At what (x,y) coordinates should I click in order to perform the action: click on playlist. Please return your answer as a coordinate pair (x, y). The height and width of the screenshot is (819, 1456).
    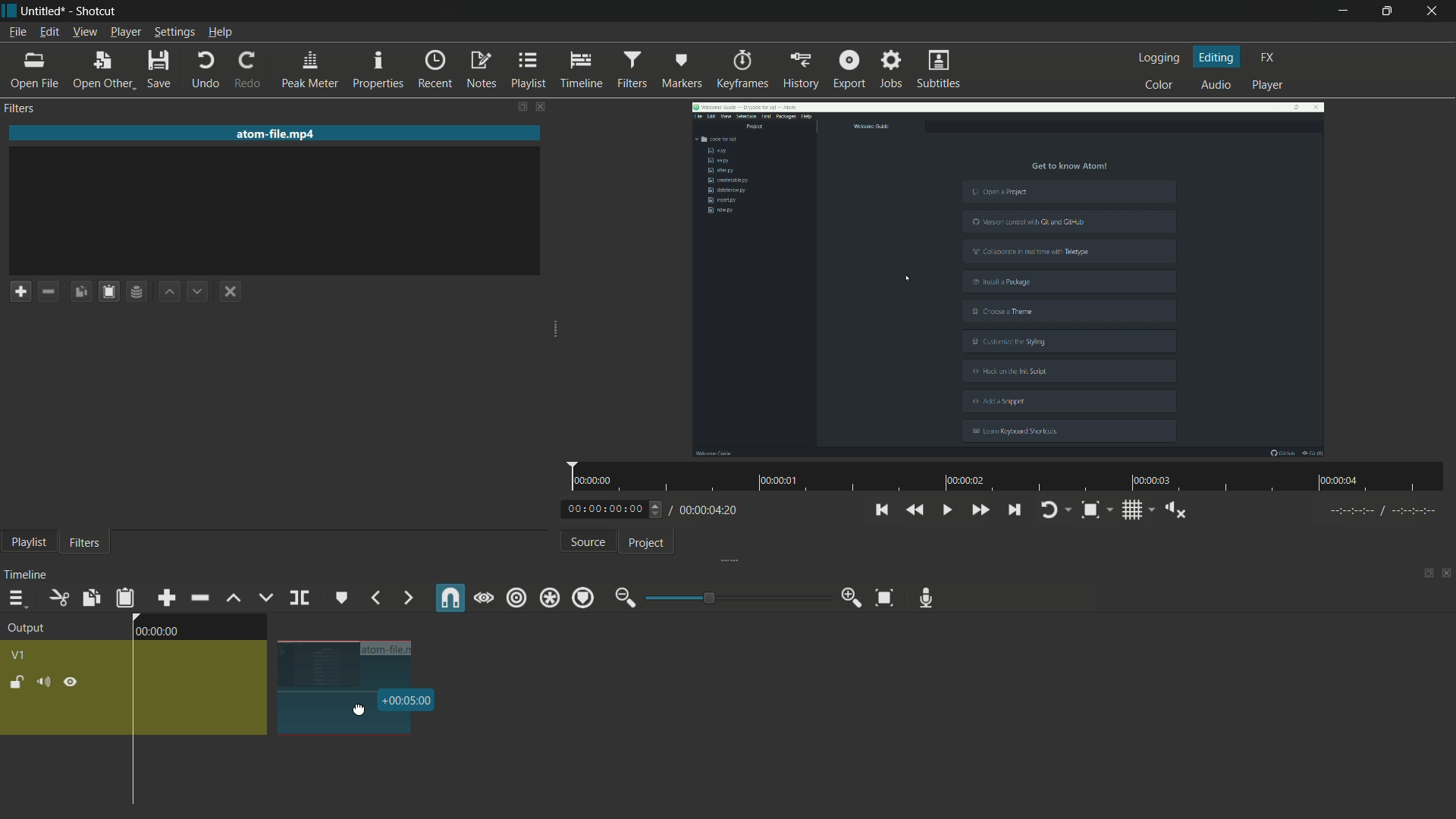
    Looking at the image, I should click on (526, 69).